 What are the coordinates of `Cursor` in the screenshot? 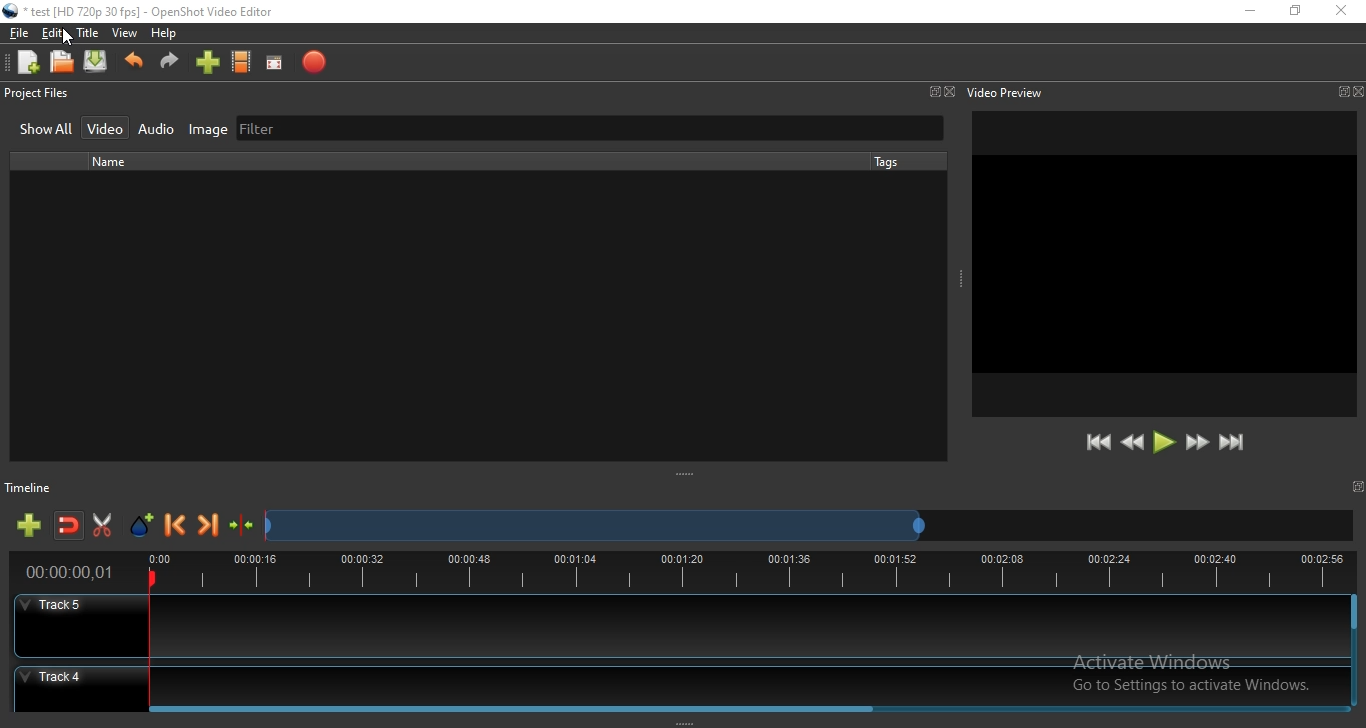 It's located at (71, 38).